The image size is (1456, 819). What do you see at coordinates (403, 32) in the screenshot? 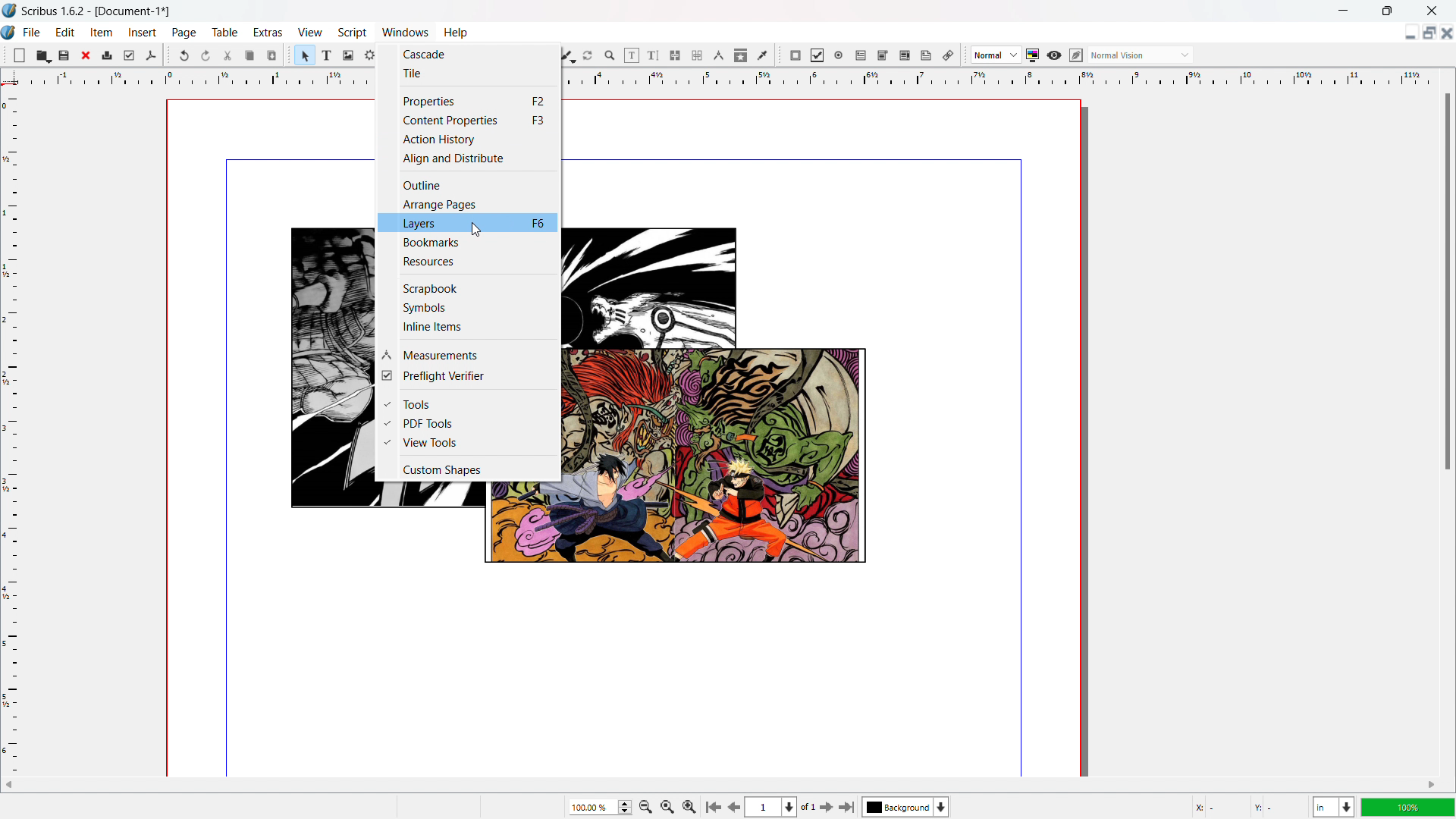
I see `windows` at bounding box center [403, 32].